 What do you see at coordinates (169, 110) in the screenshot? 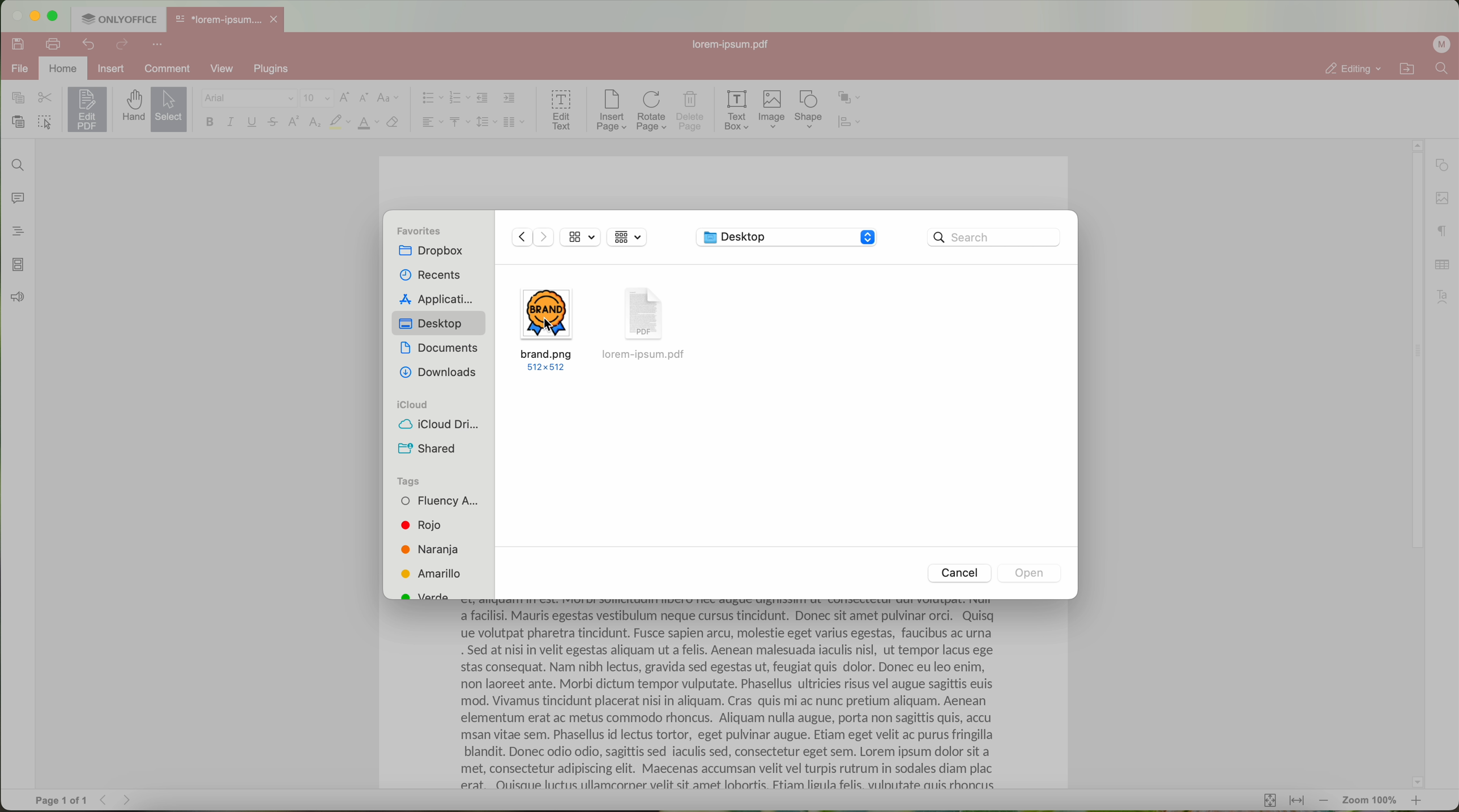
I see `select` at bounding box center [169, 110].